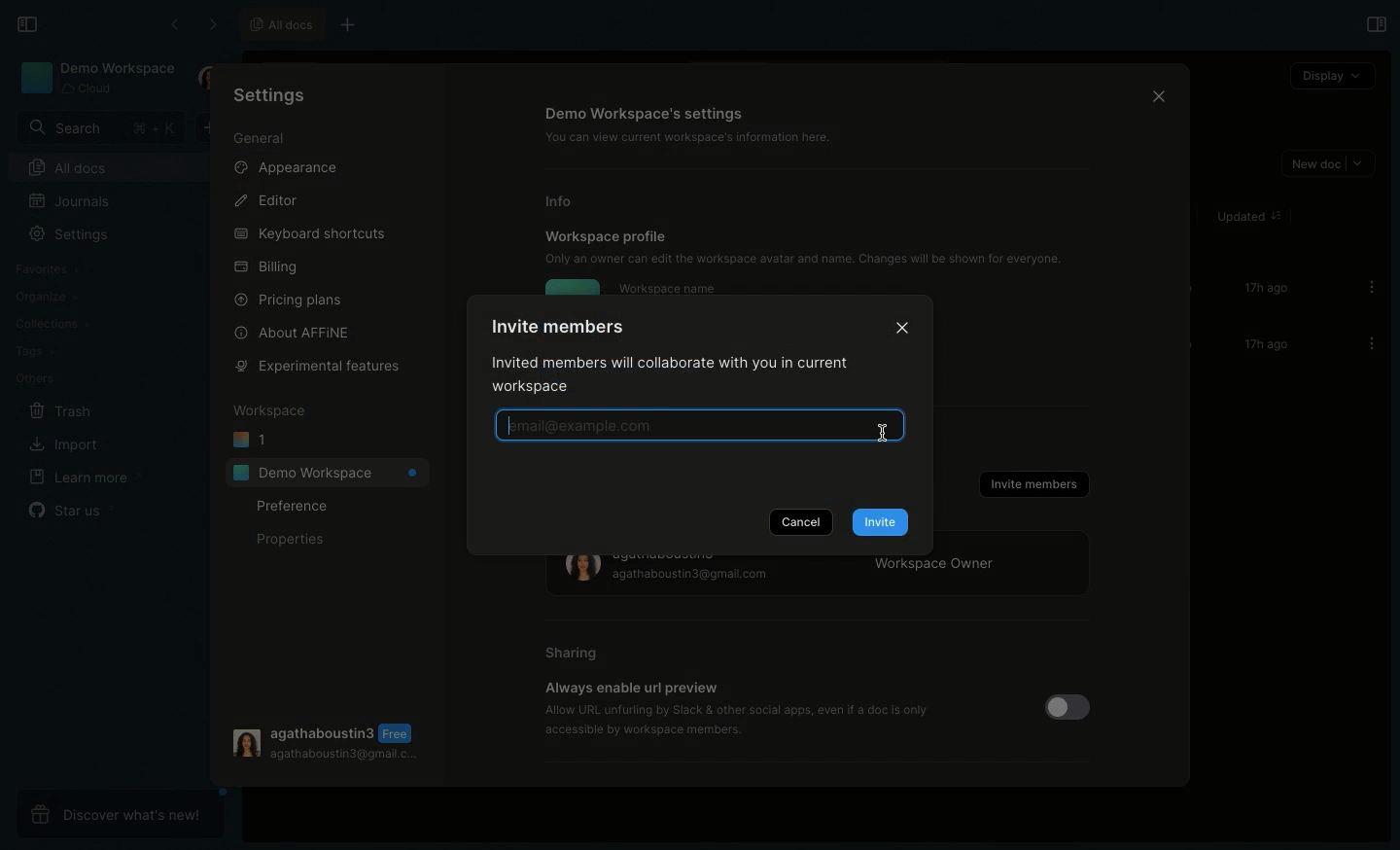 This screenshot has width=1400, height=850. What do you see at coordinates (885, 439) in the screenshot?
I see `cursor` at bounding box center [885, 439].